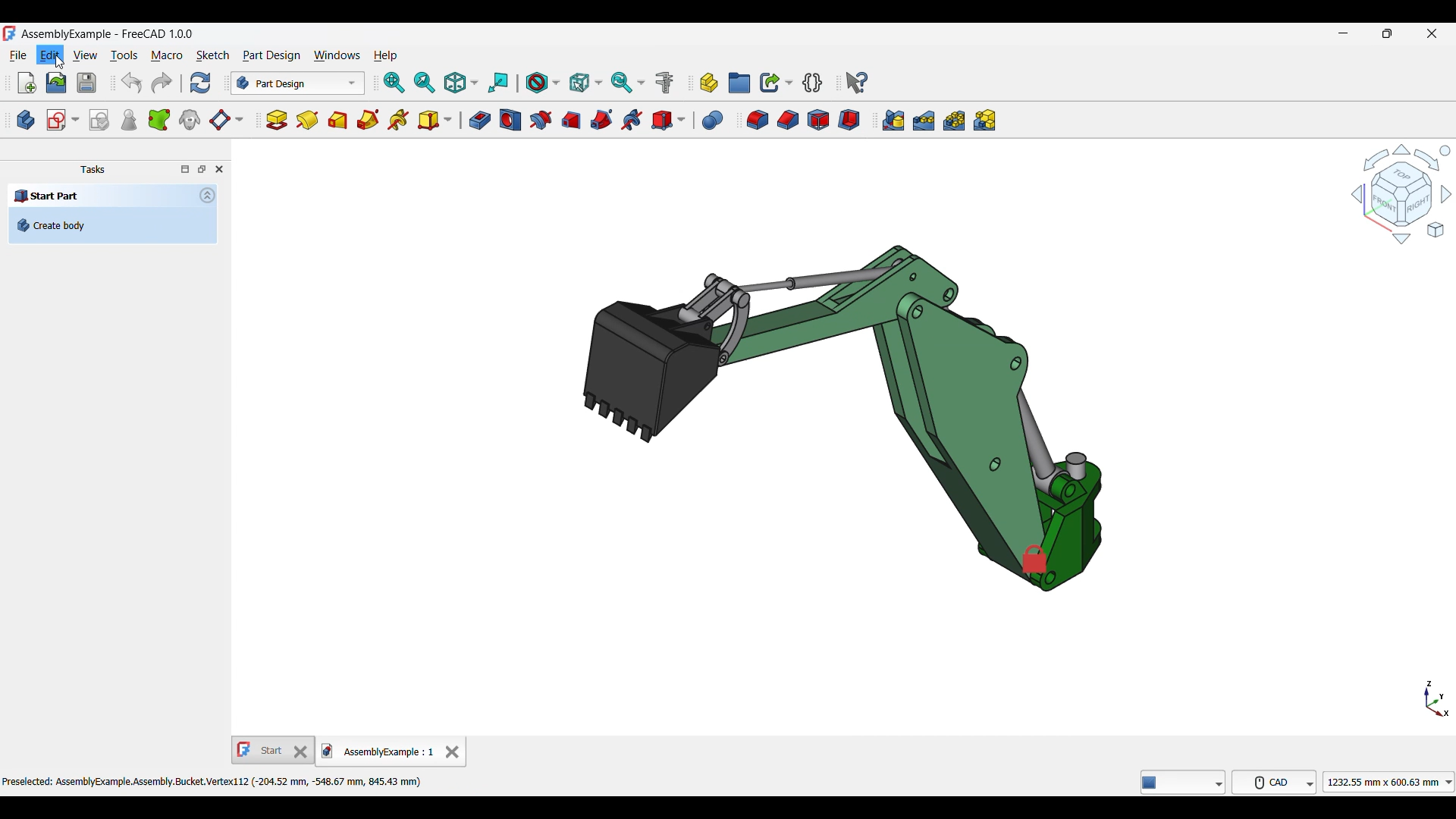 The image size is (1456, 819). Describe the element at coordinates (27, 83) in the screenshot. I see `New` at that location.